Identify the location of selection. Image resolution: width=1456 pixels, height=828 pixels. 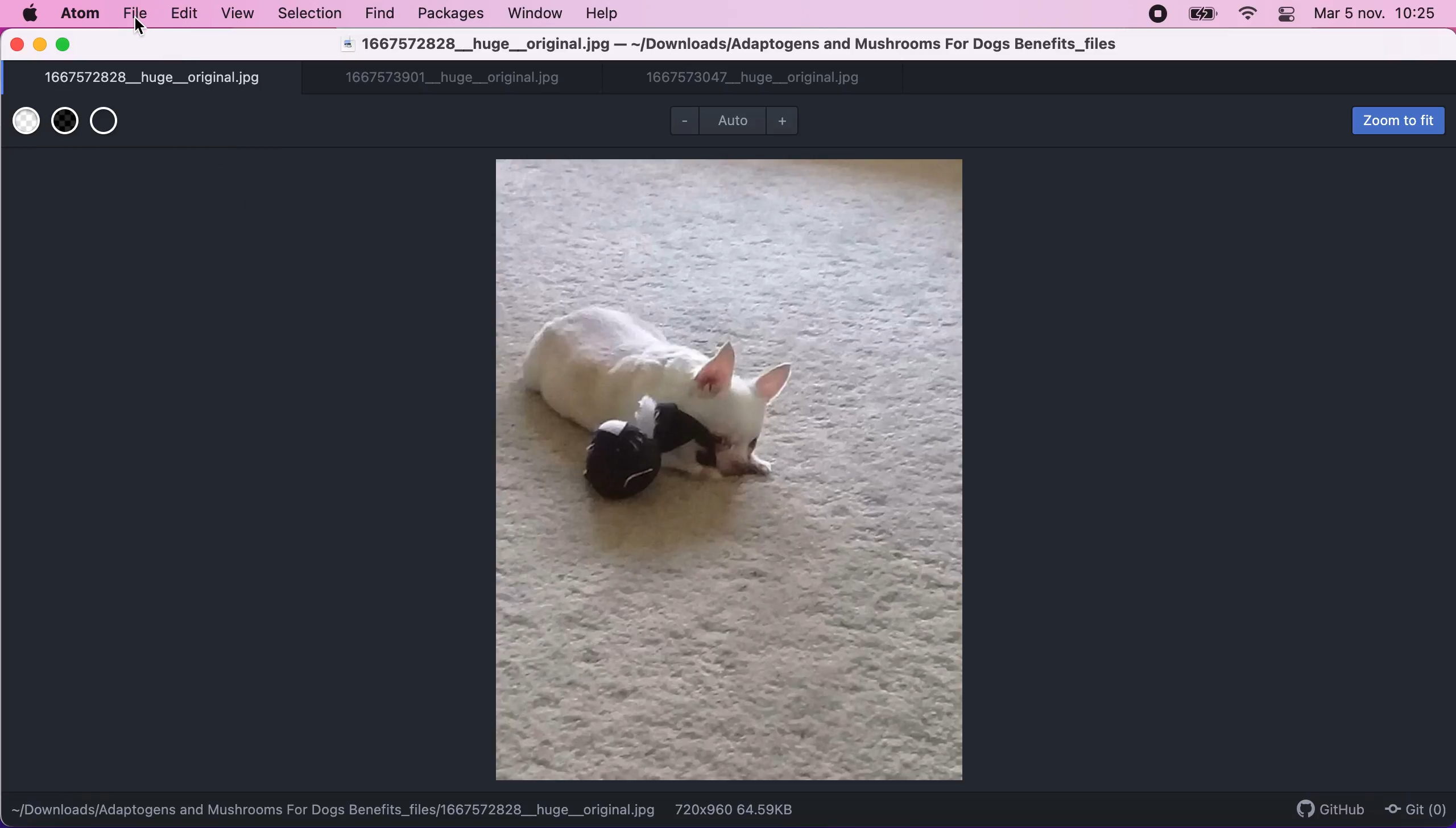
(311, 14).